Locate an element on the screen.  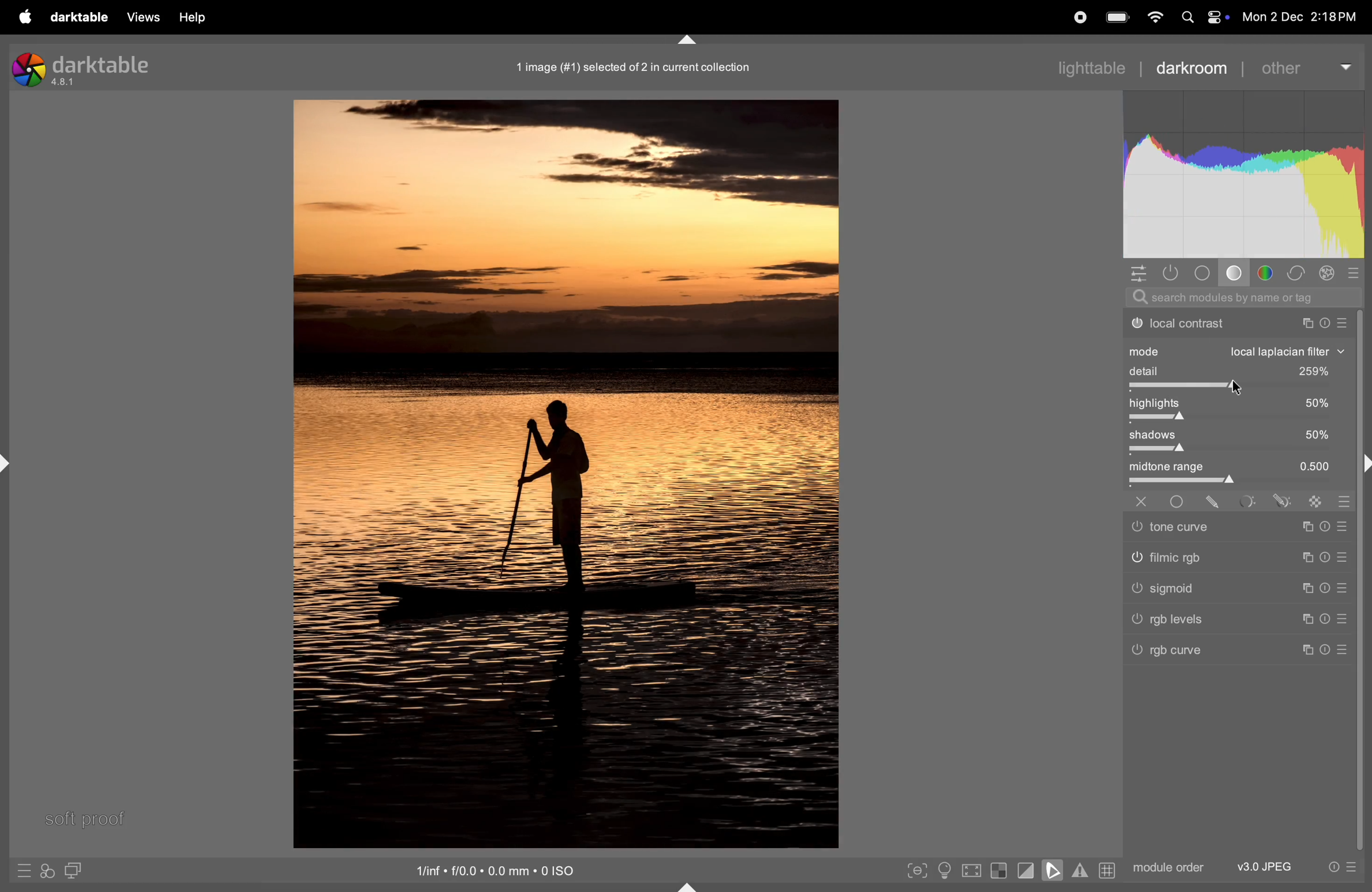
toggle peak foucisng mode is located at coordinates (916, 870).